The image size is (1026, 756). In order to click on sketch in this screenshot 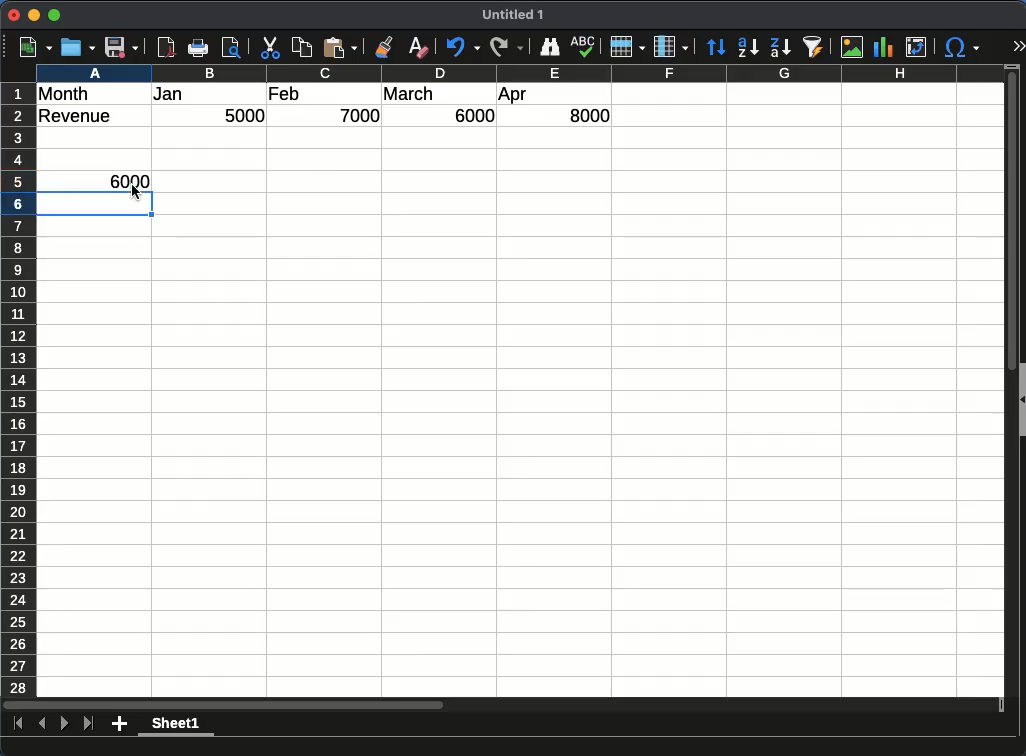, I will do `click(583, 47)`.